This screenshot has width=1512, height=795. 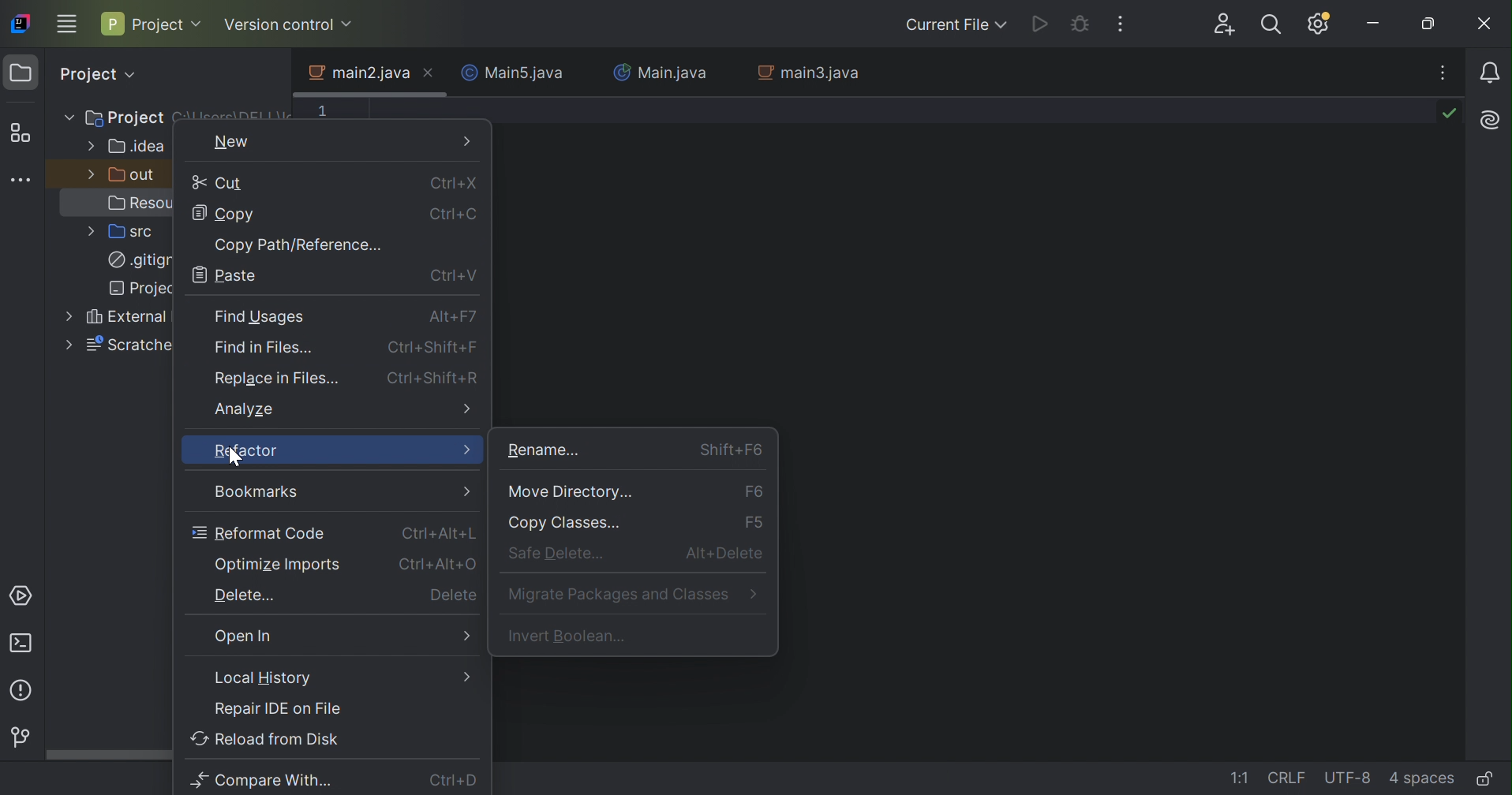 I want to click on F6, so click(x=754, y=491).